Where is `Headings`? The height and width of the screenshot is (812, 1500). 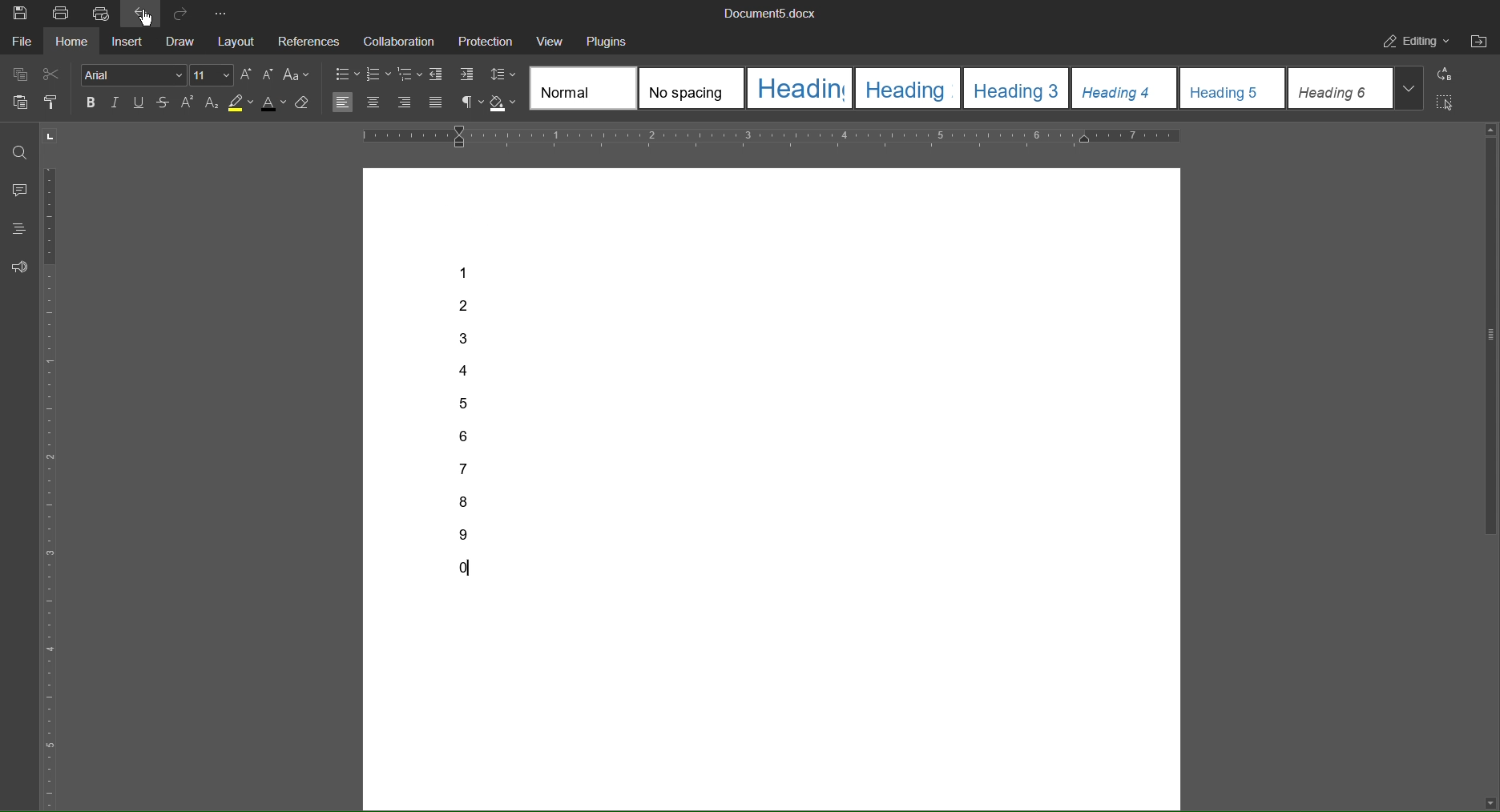 Headings is located at coordinates (18, 228).